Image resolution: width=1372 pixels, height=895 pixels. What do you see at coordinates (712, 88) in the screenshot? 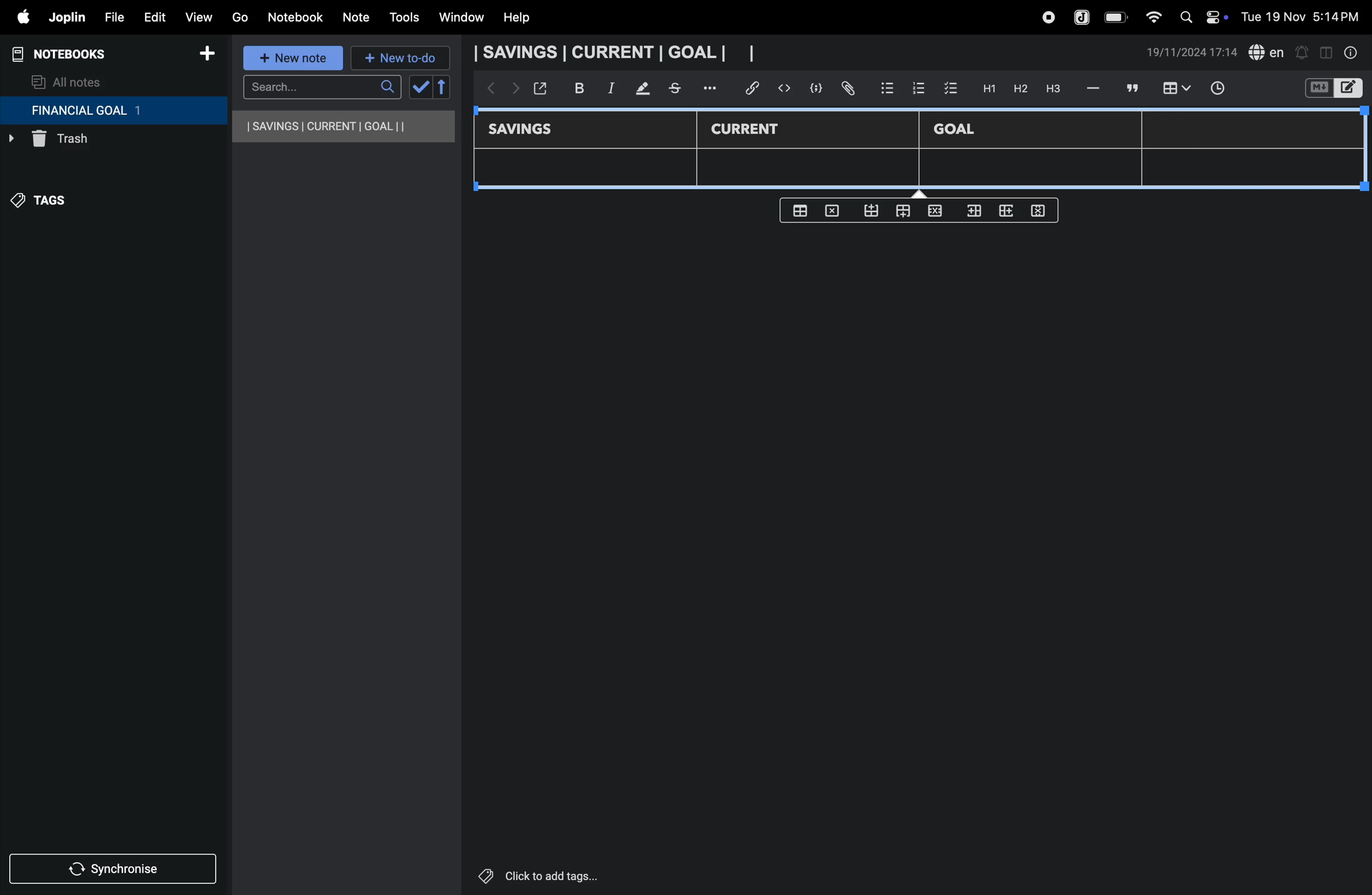
I see `options` at bounding box center [712, 88].